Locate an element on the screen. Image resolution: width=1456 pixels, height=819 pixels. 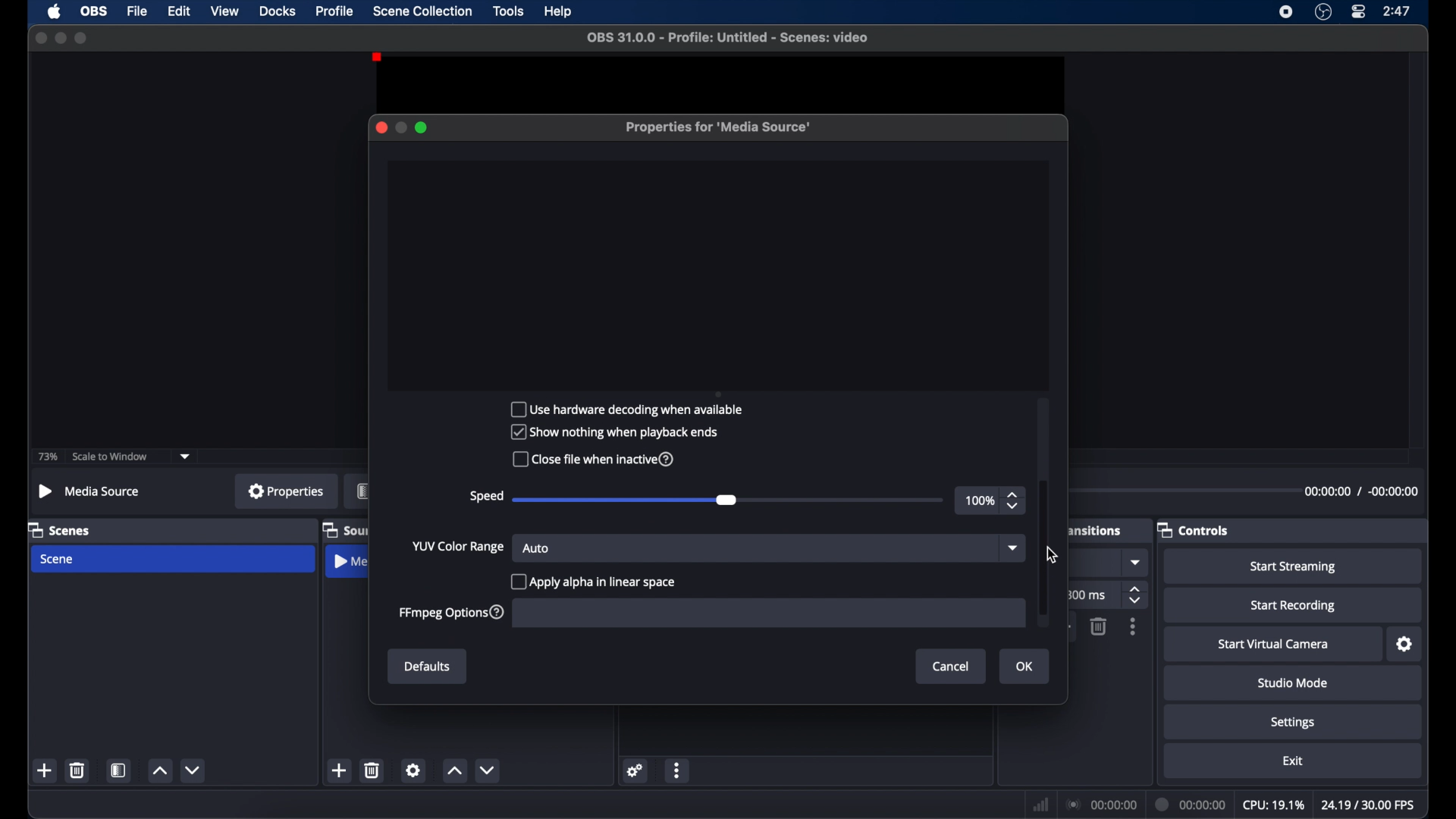
file is located at coordinates (138, 11).